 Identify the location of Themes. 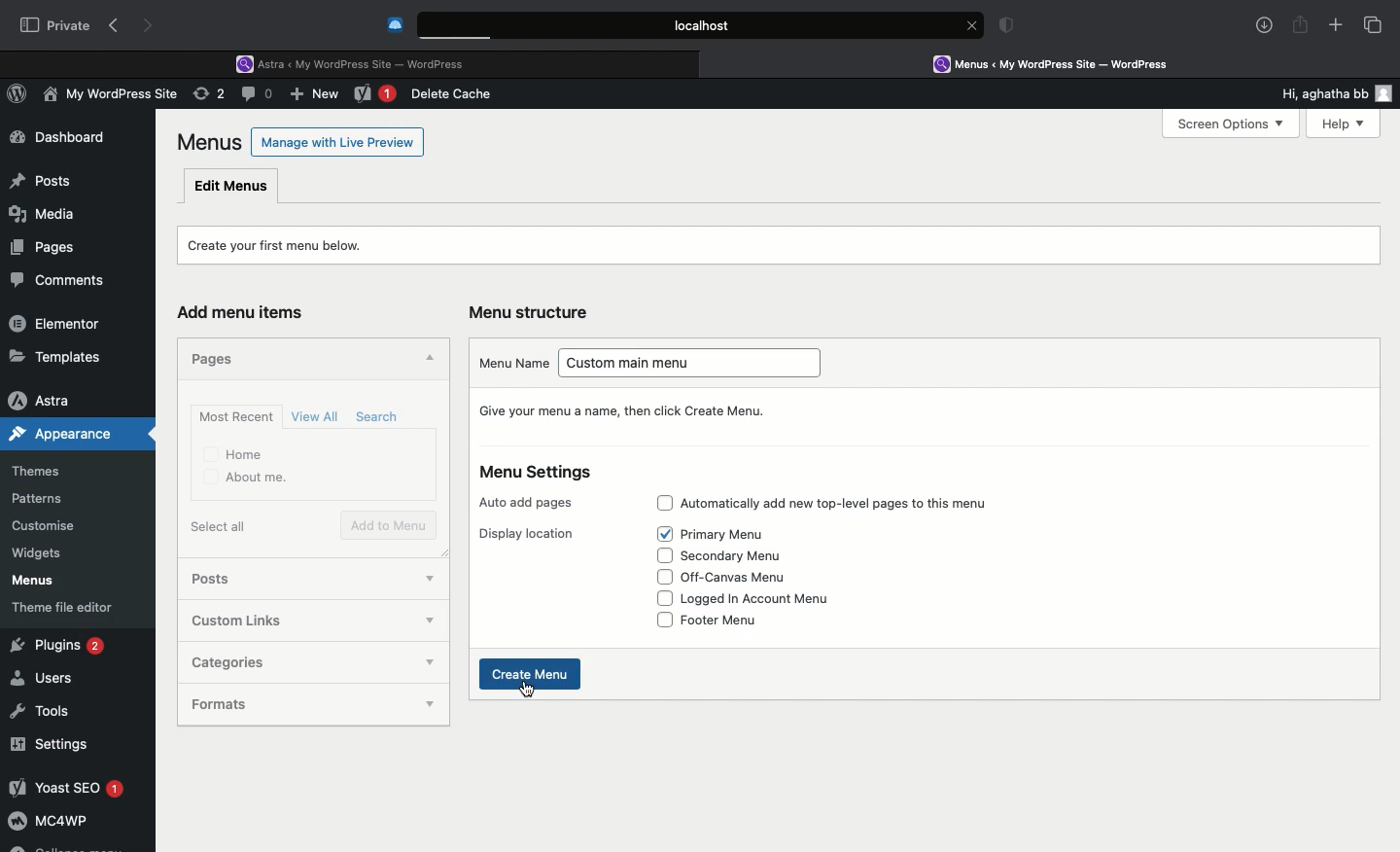
(50, 472).